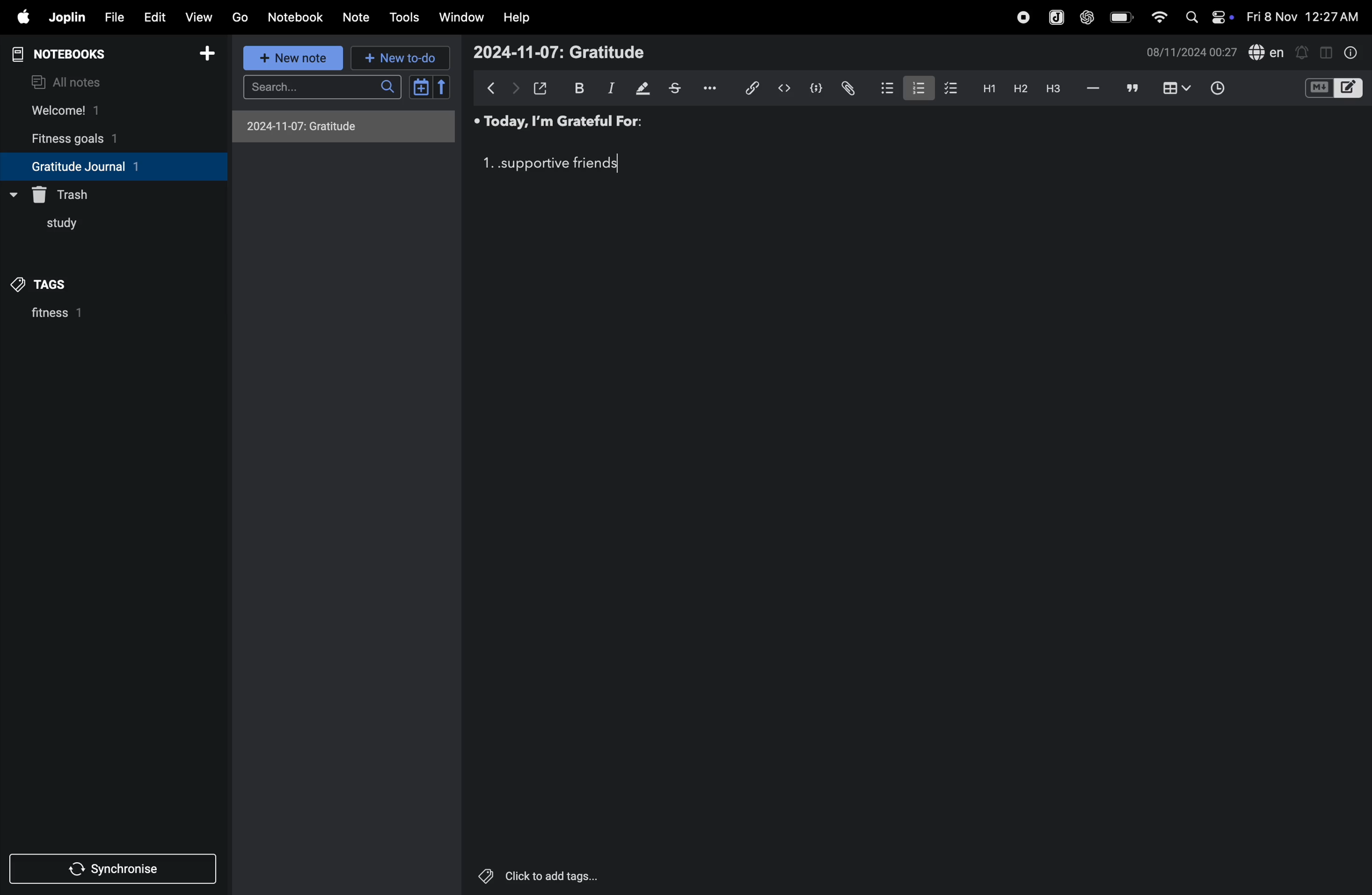 The height and width of the screenshot is (895, 1372). I want to click on check box, so click(948, 88).